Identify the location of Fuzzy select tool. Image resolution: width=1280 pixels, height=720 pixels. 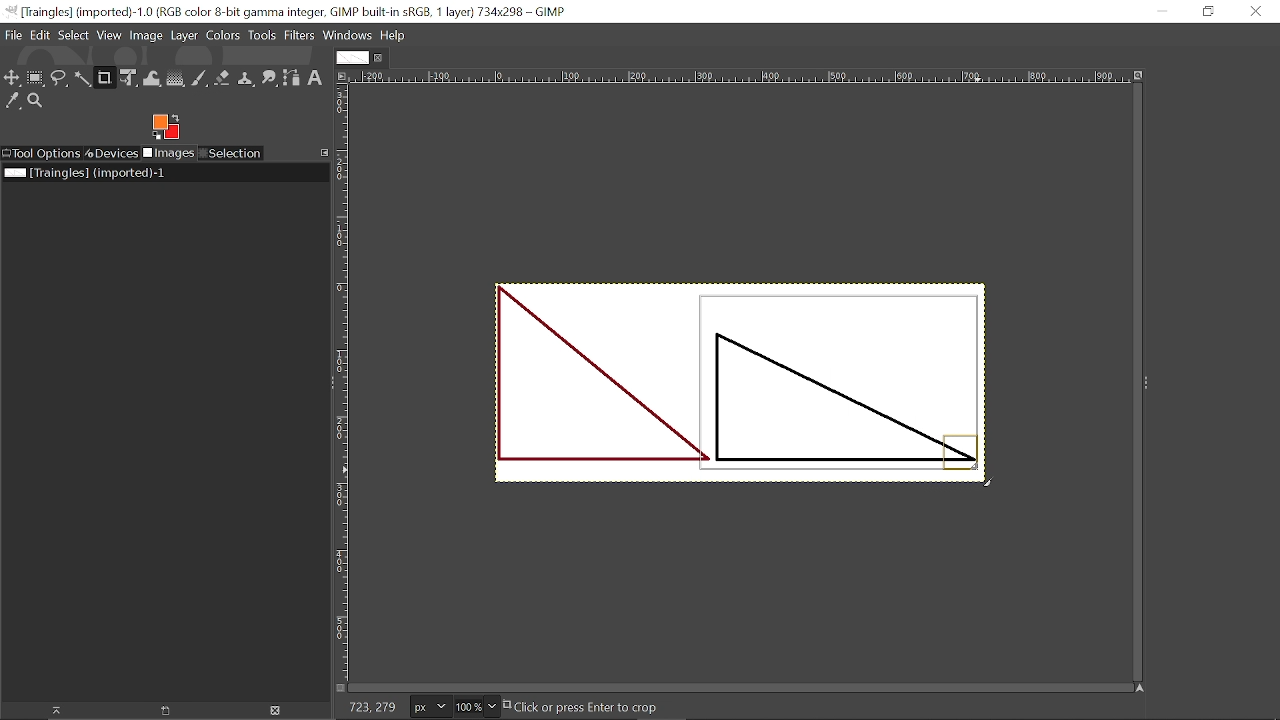
(83, 80).